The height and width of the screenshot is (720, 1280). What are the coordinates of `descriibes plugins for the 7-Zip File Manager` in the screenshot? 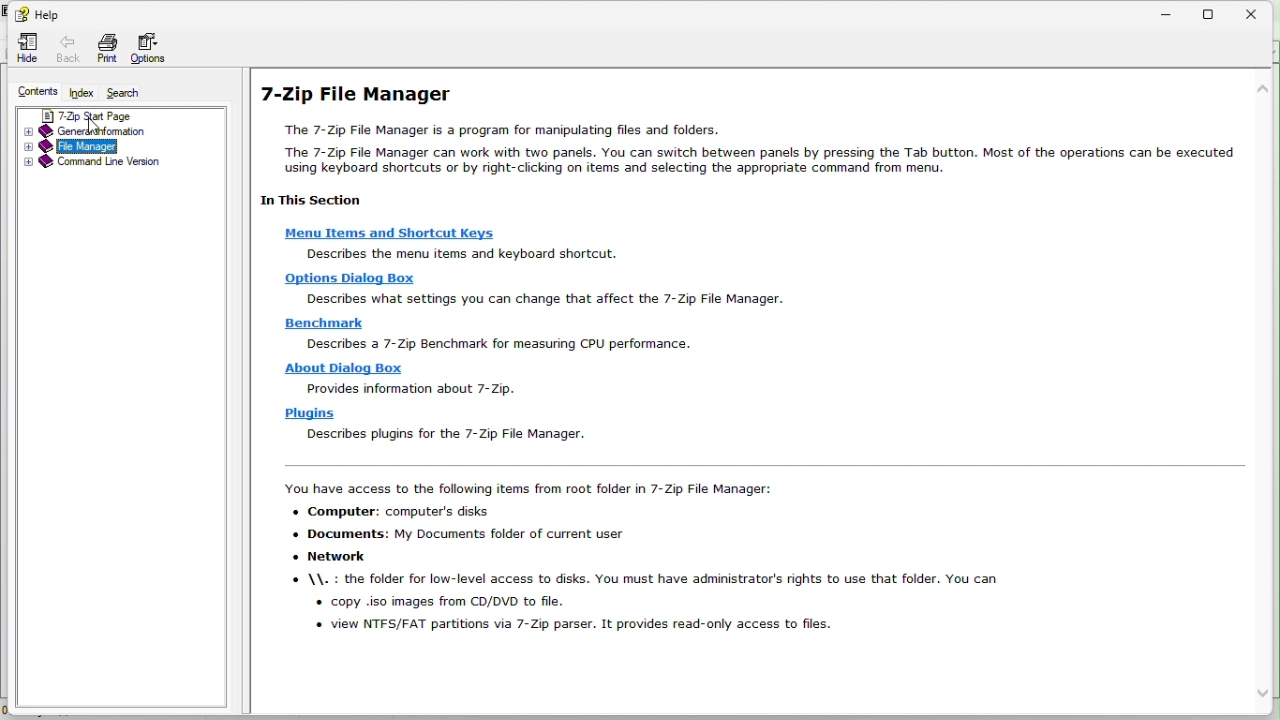 It's located at (440, 434).